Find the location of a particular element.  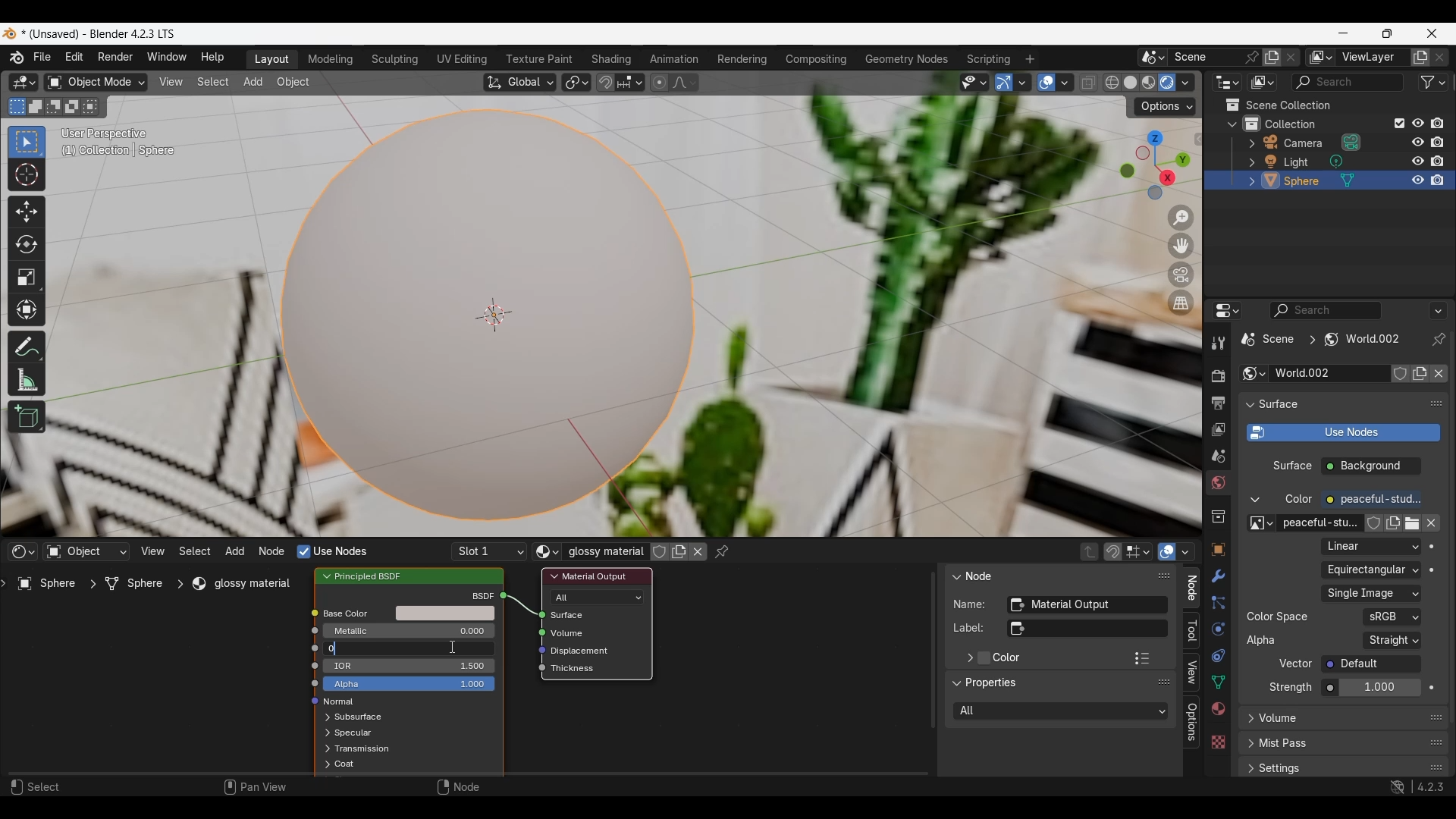

surface is located at coordinates (1292, 467).